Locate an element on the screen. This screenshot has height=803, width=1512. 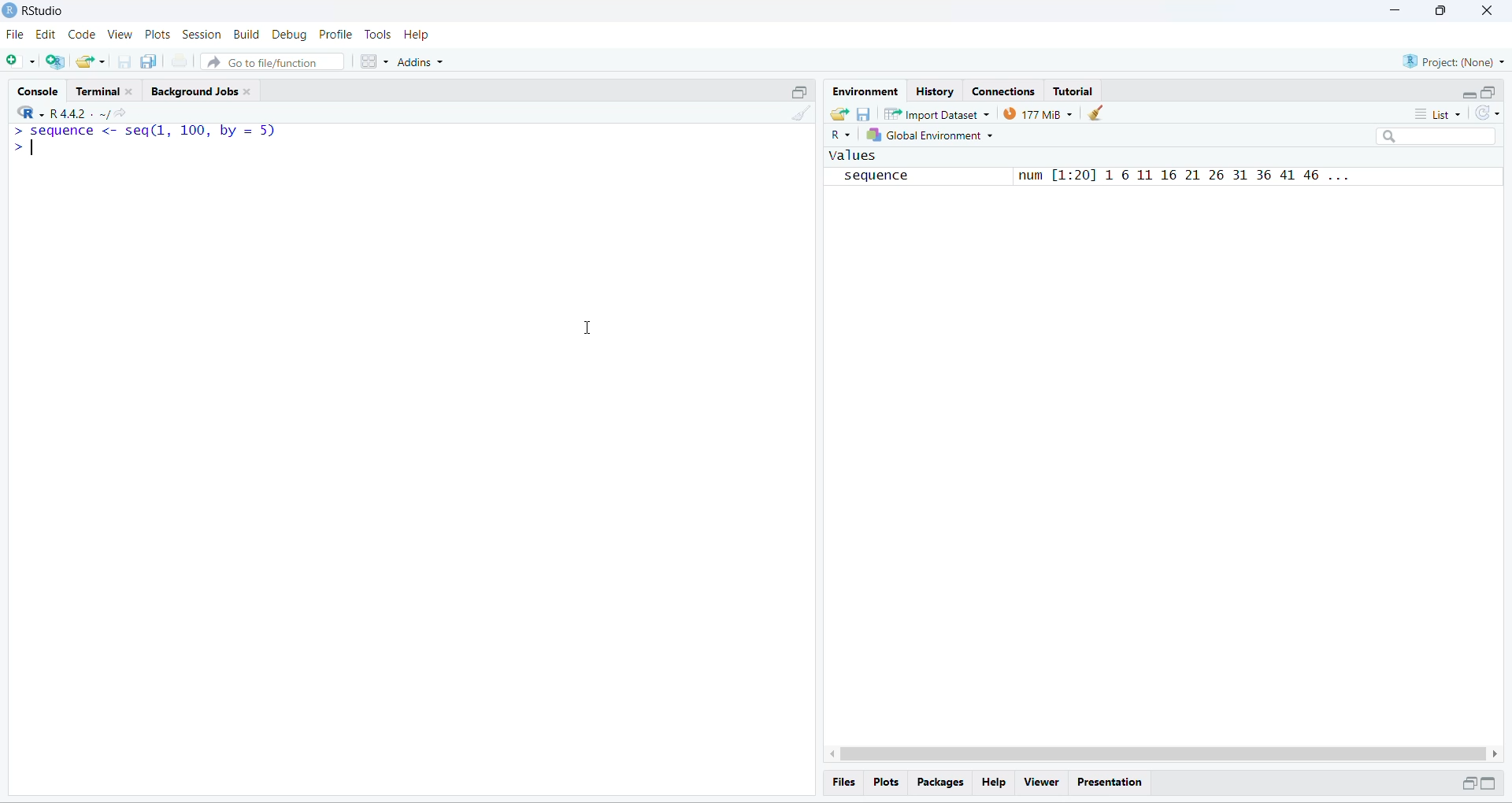
list is located at coordinates (1438, 114).